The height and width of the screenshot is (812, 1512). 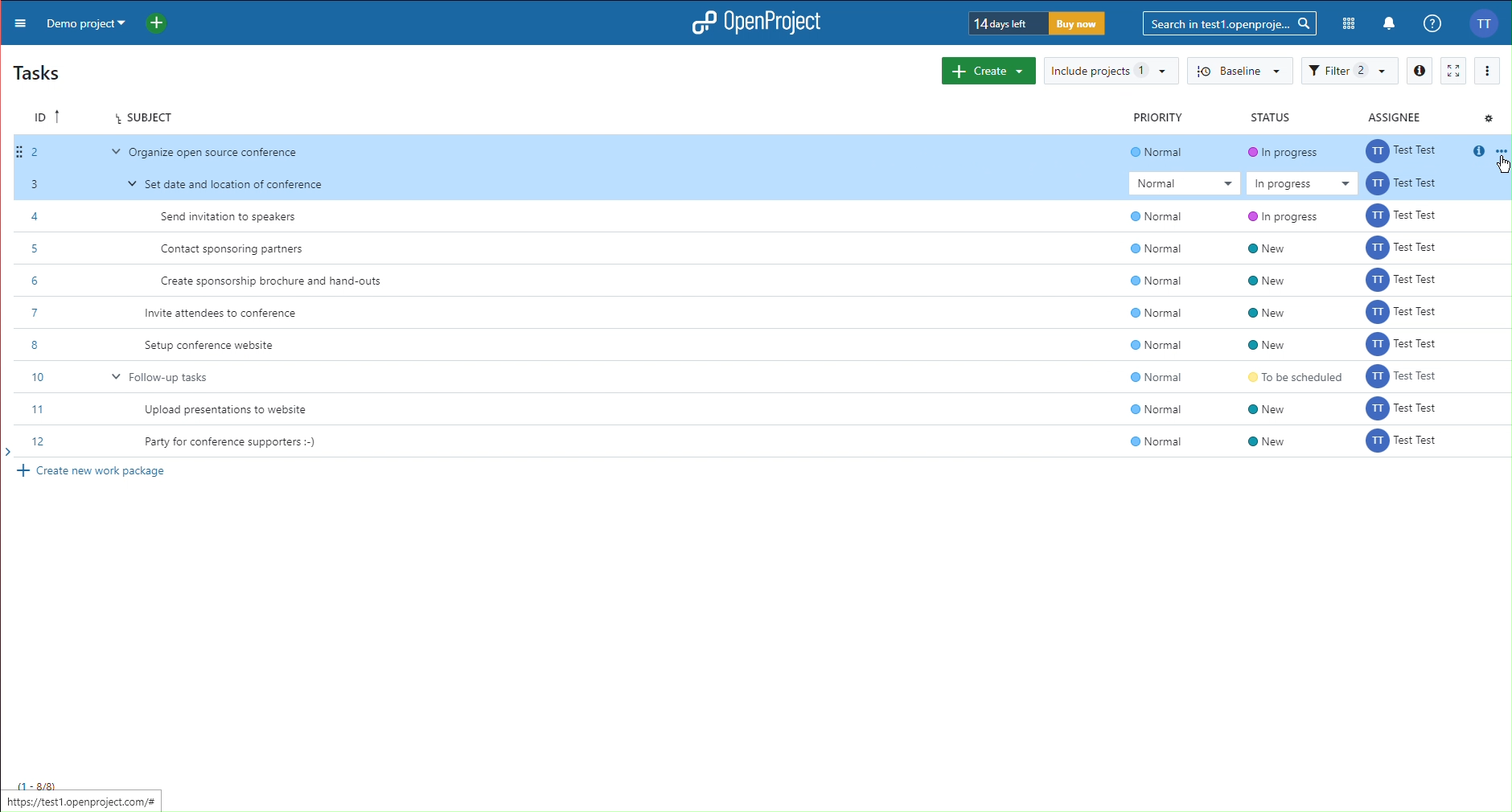 I want to click on Info, so click(x=1419, y=71).